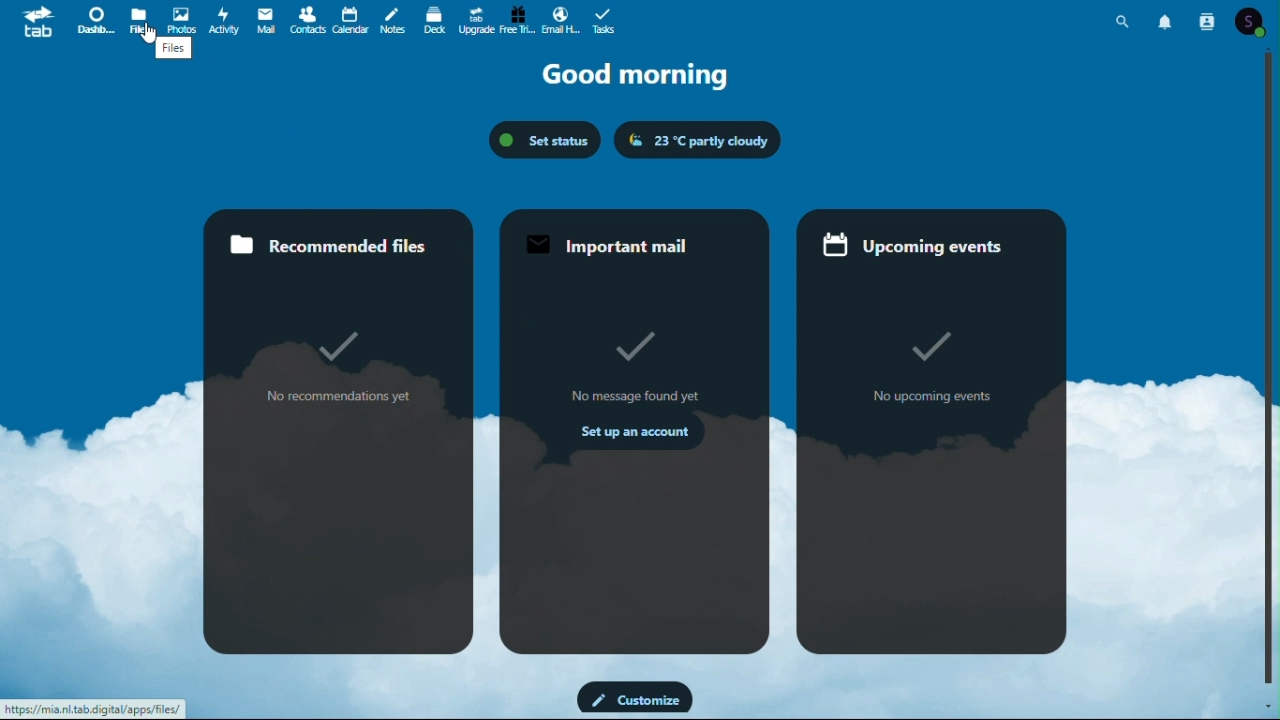 The height and width of the screenshot is (720, 1280). What do you see at coordinates (149, 42) in the screenshot?
I see `` at bounding box center [149, 42].